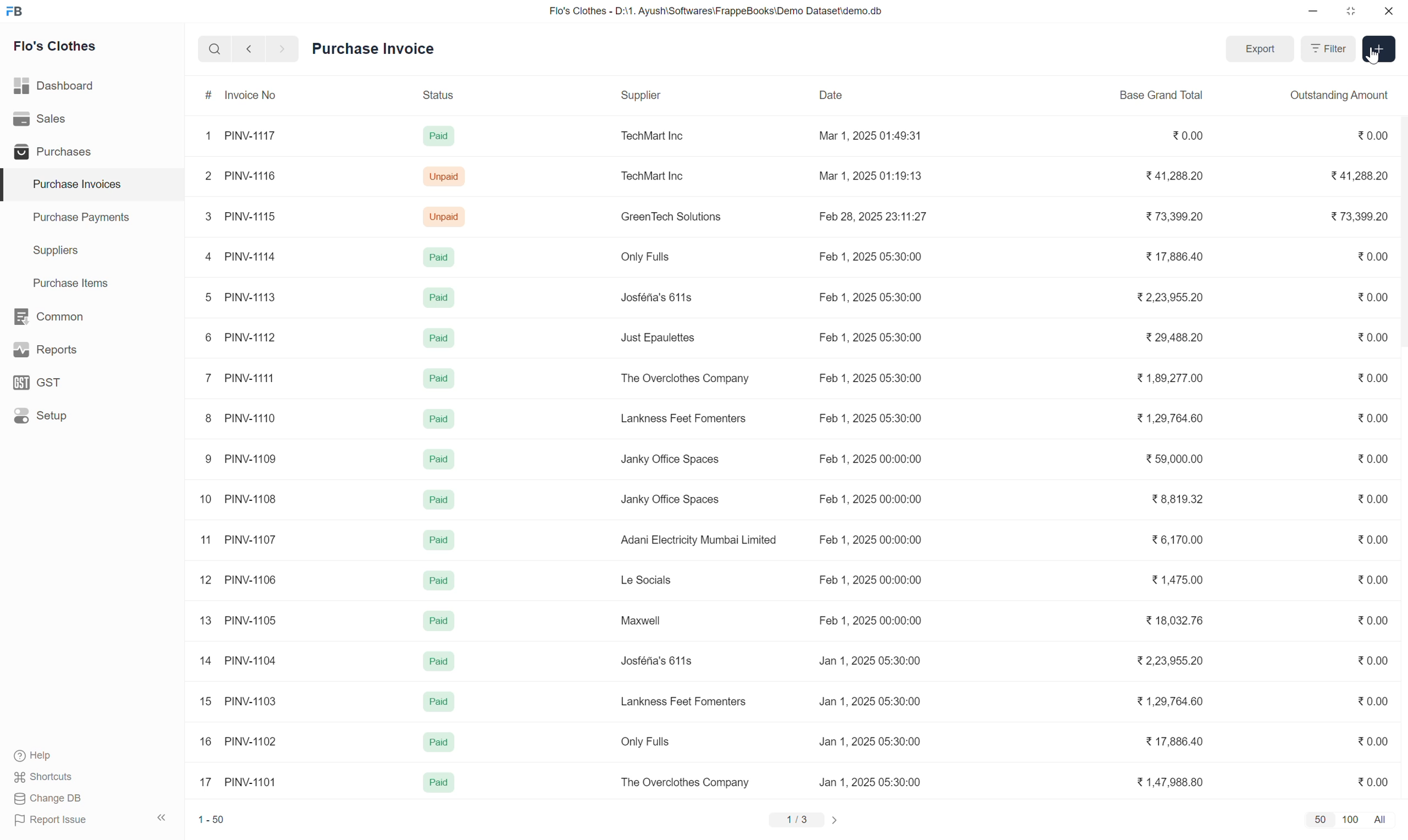 The image size is (1408, 840). What do you see at coordinates (870, 378) in the screenshot?
I see `Feb 1, 2025 05:30:00` at bounding box center [870, 378].